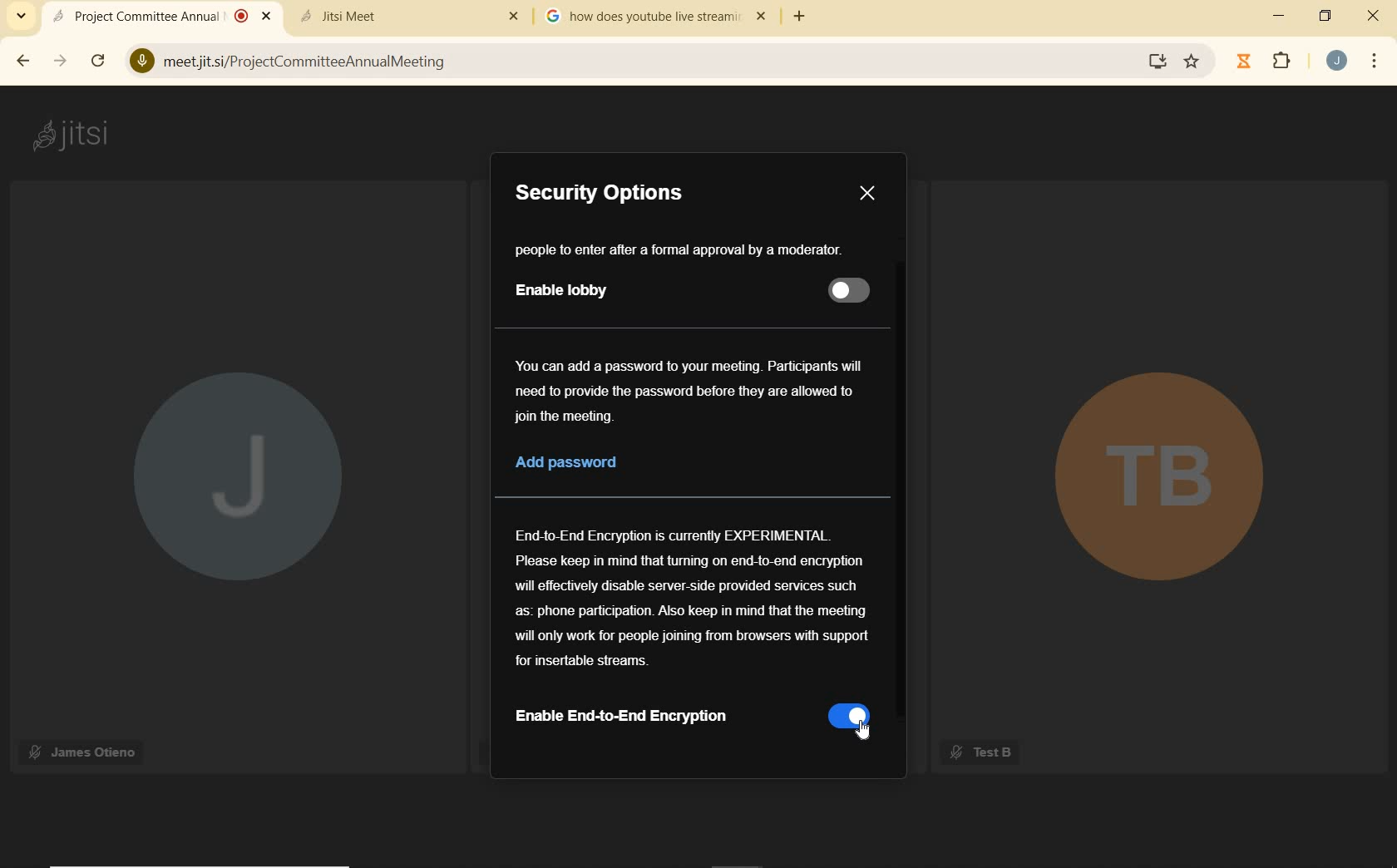  Describe the element at coordinates (161, 16) in the screenshot. I see `Project Committee Annual` at that location.